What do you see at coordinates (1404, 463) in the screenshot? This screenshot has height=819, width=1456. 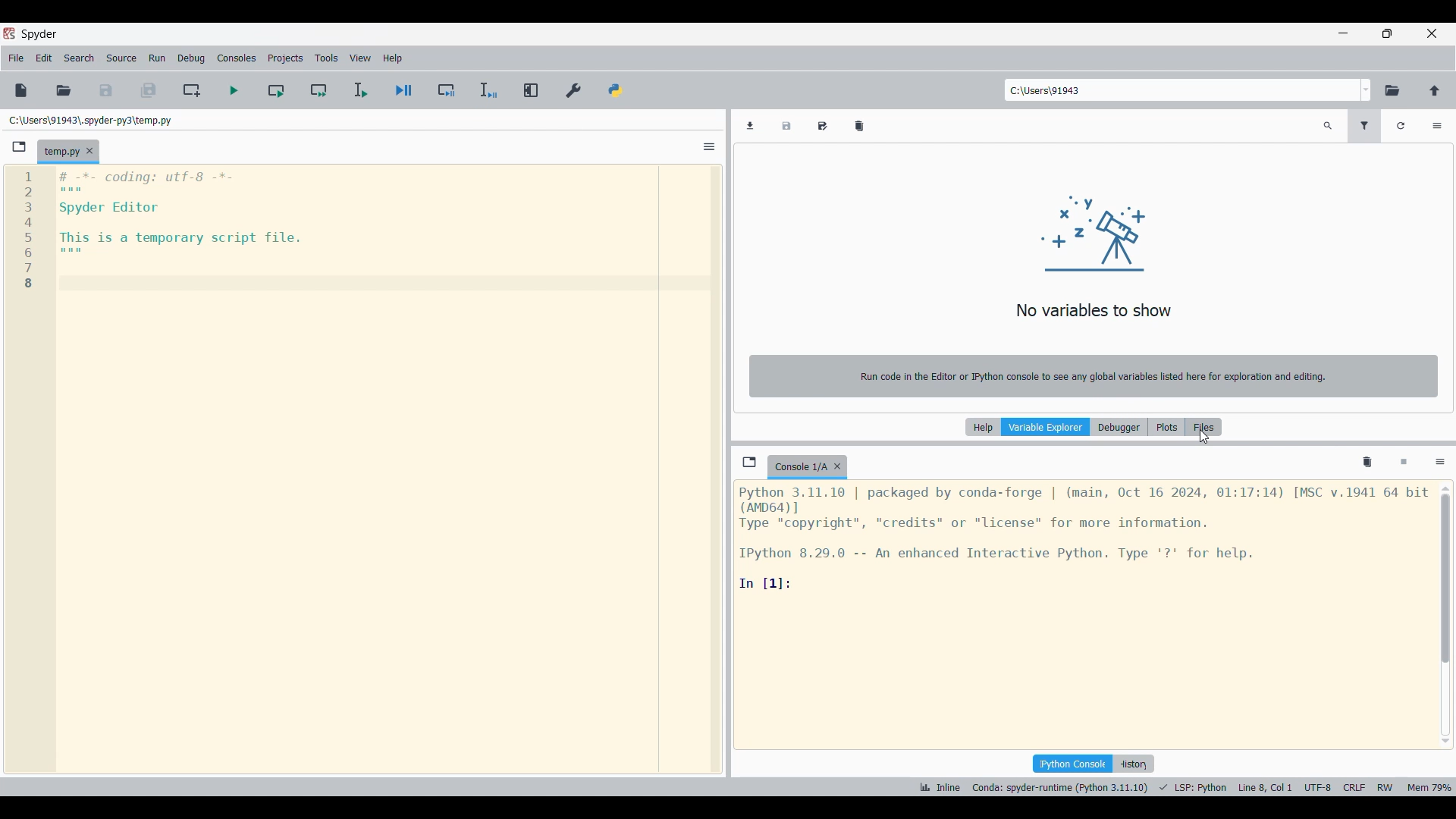 I see `Interrupt kernel` at bounding box center [1404, 463].